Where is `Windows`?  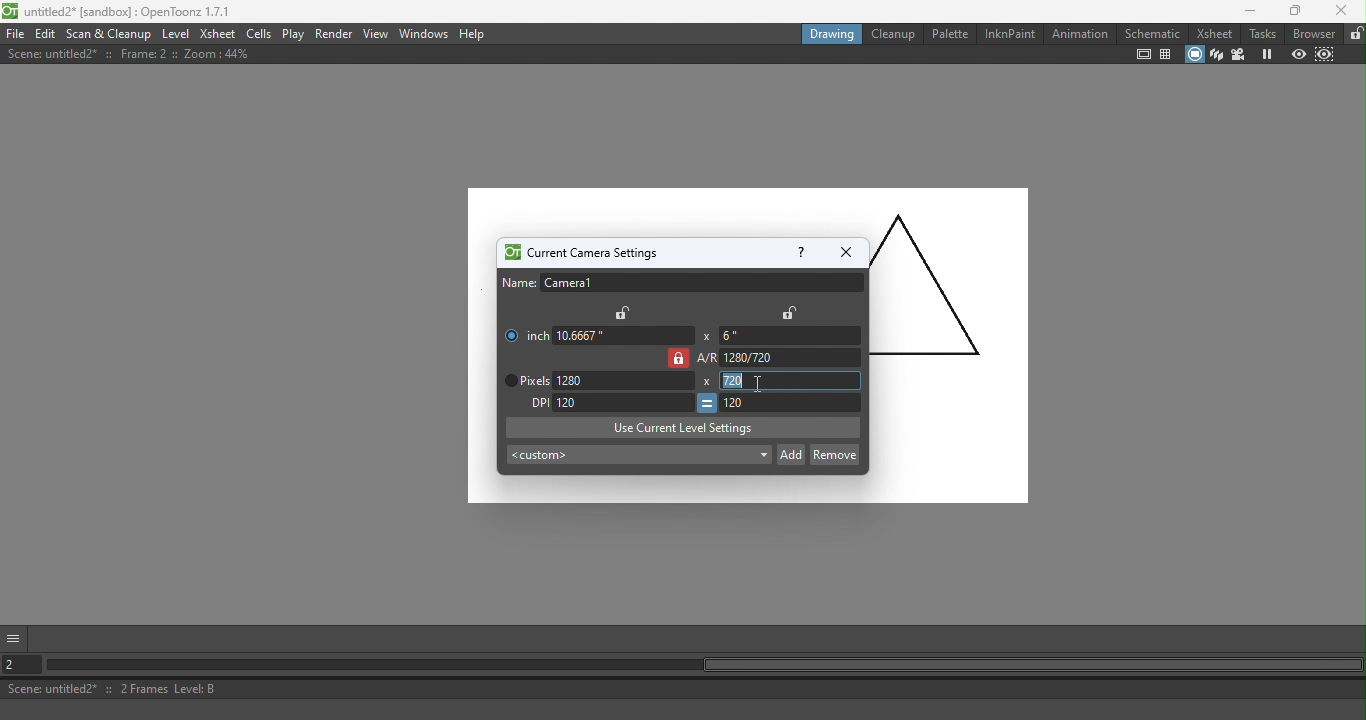 Windows is located at coordinates (424, 33).